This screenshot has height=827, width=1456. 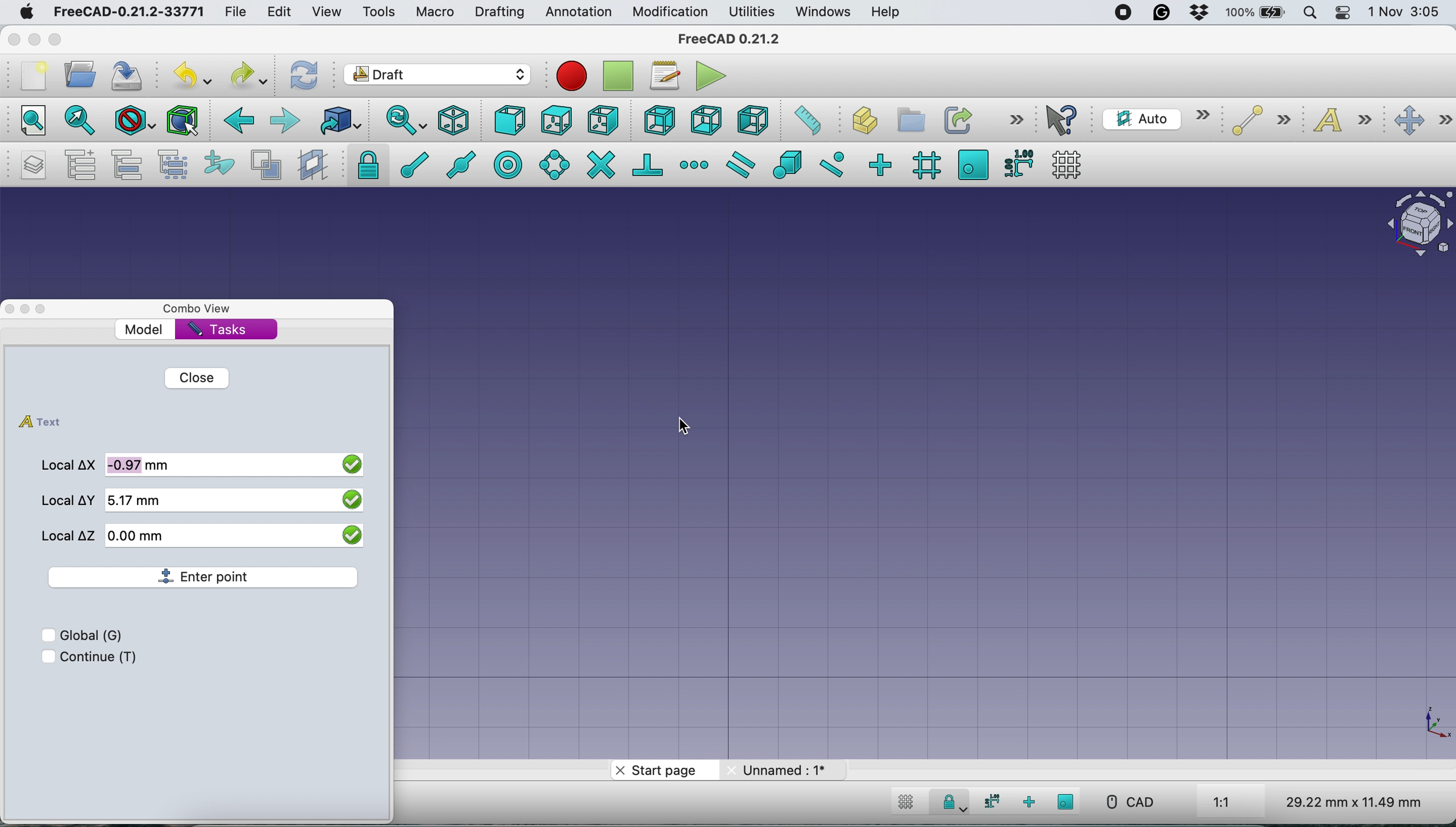 I want to click on add a new named group, so click(x=78, y=166).